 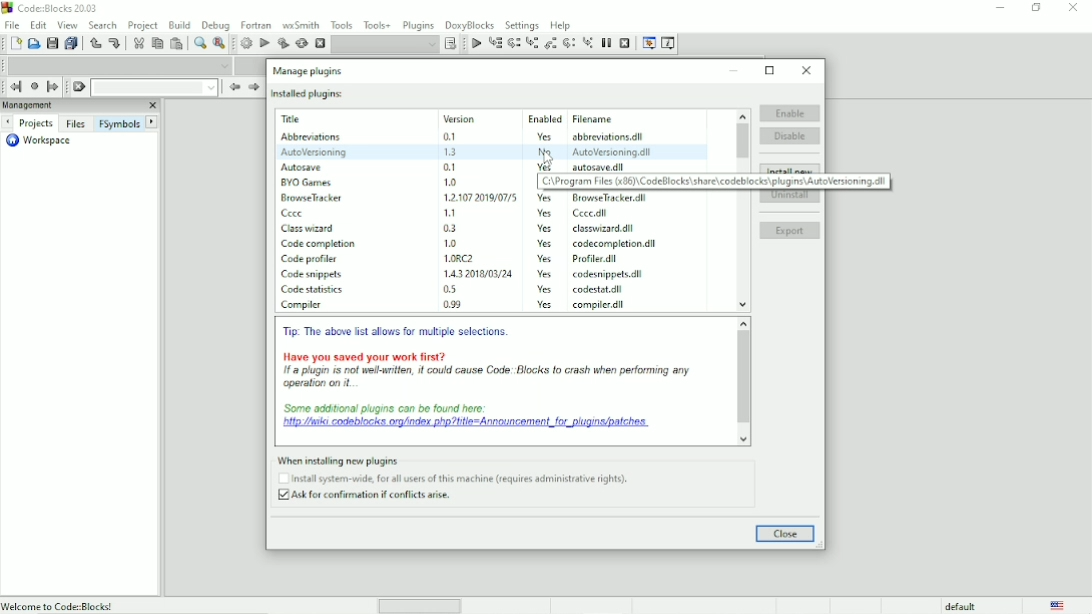 I want to click on Fortran, so click(x=255, y=25).